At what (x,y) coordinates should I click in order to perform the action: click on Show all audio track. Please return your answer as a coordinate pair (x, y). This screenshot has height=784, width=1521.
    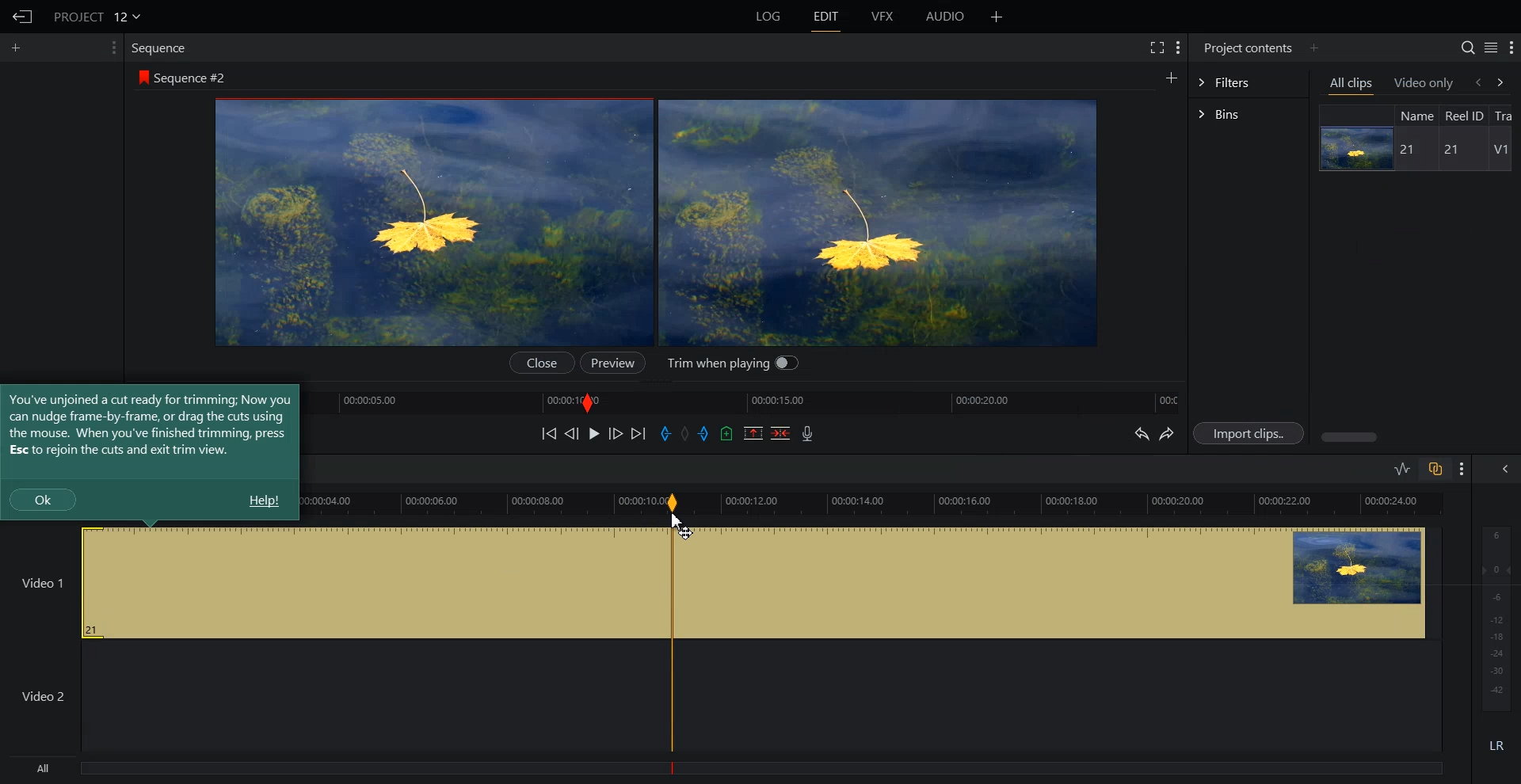
    Looking at the image, I should click on (1506, 469).